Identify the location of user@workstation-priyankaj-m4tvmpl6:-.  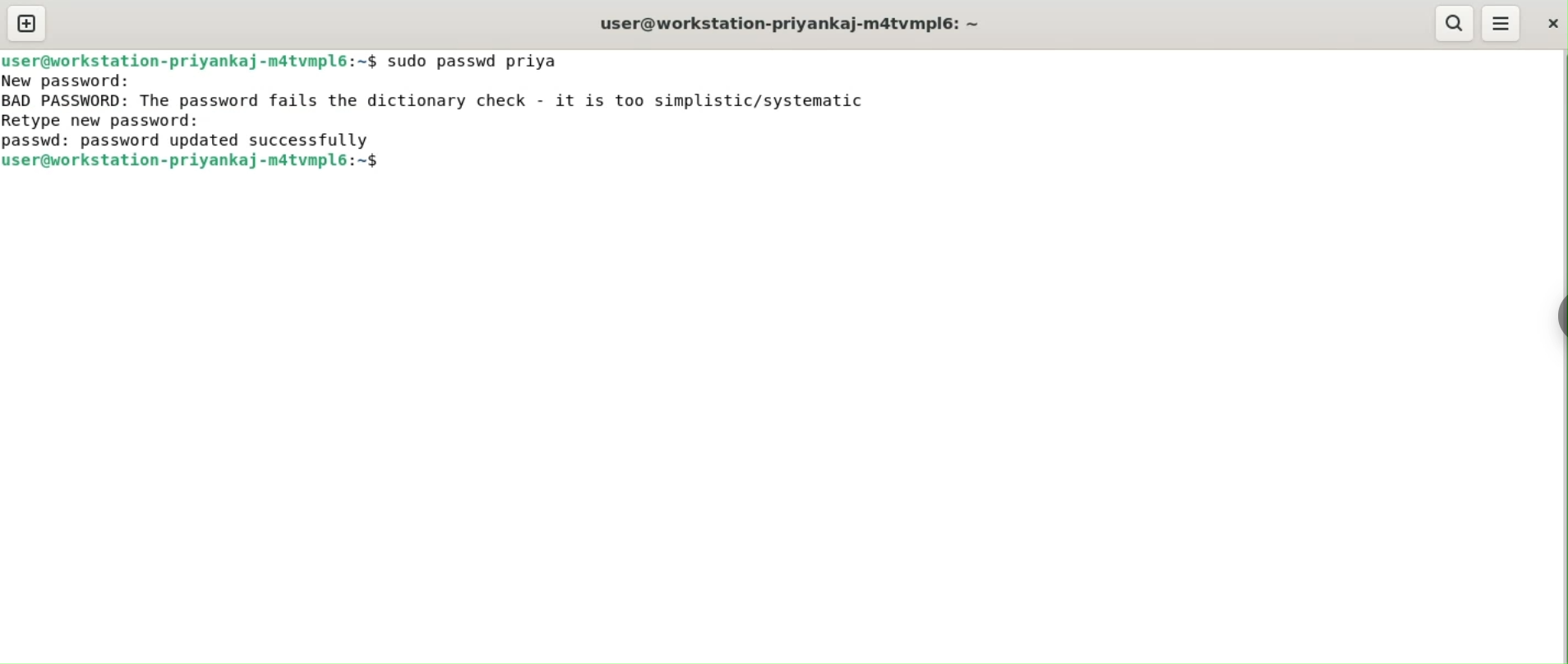
(801, 22).